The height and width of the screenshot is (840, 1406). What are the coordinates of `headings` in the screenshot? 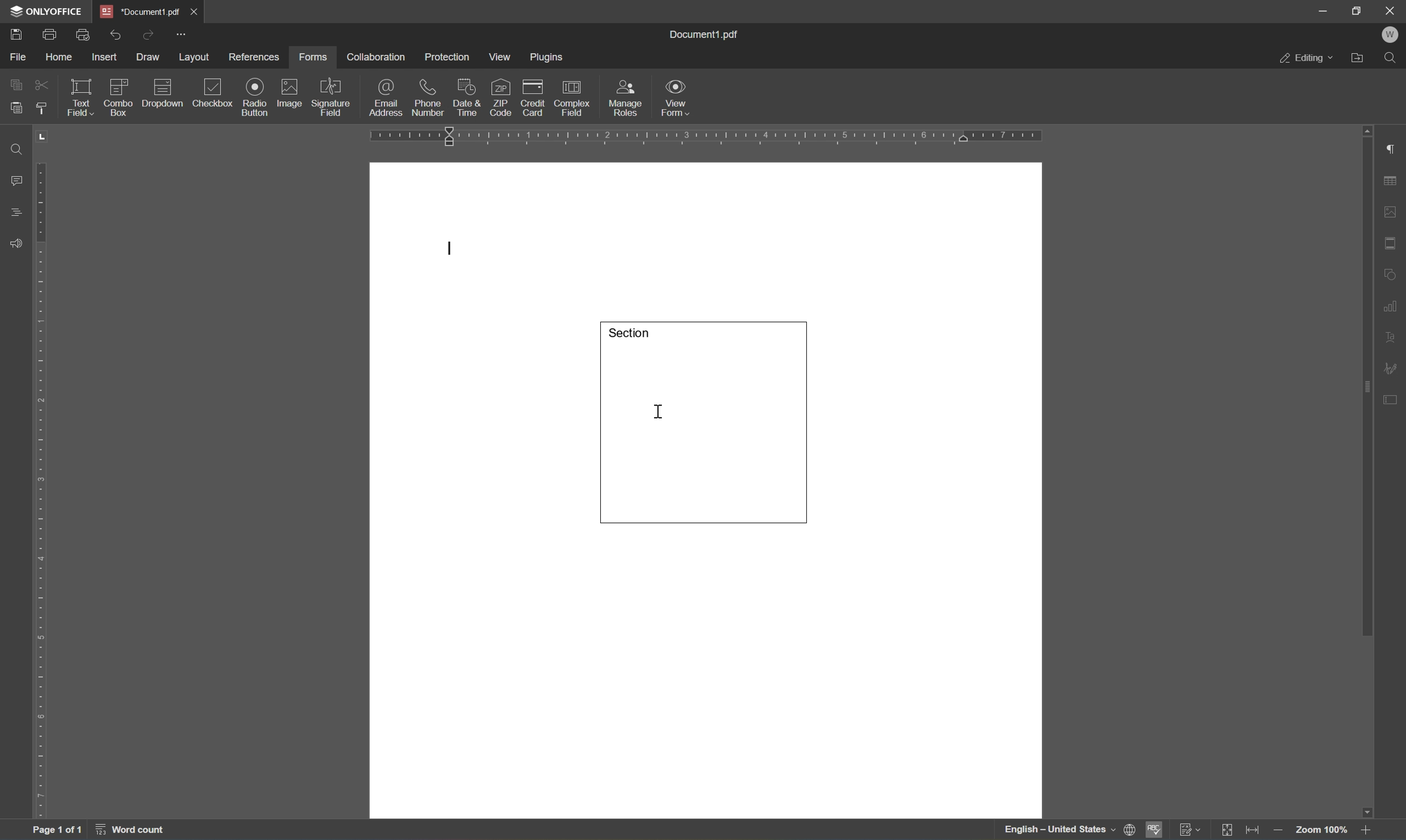 It's located at (16, 212).